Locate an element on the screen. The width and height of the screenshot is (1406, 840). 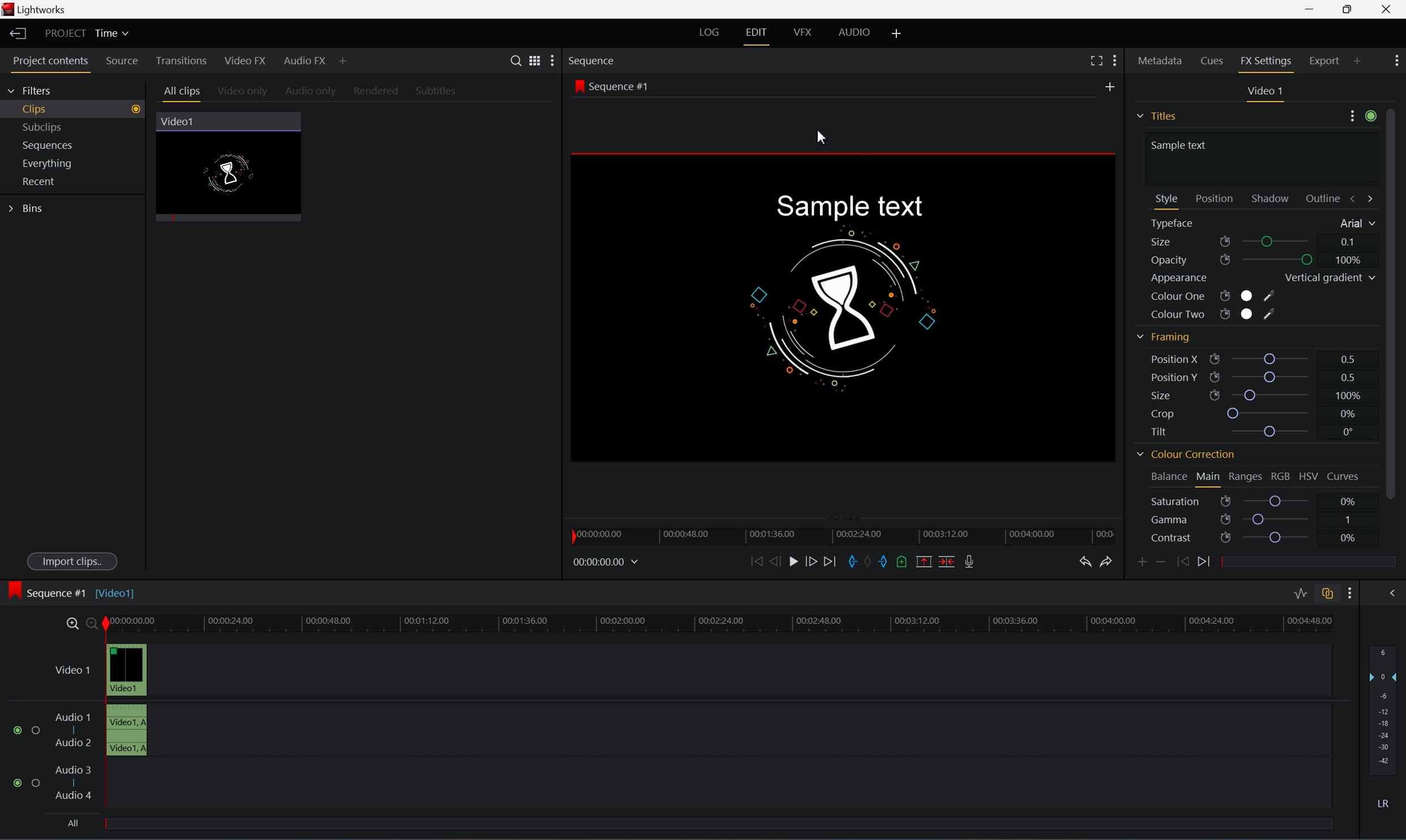
outline is located at coordinates (1326, 200).